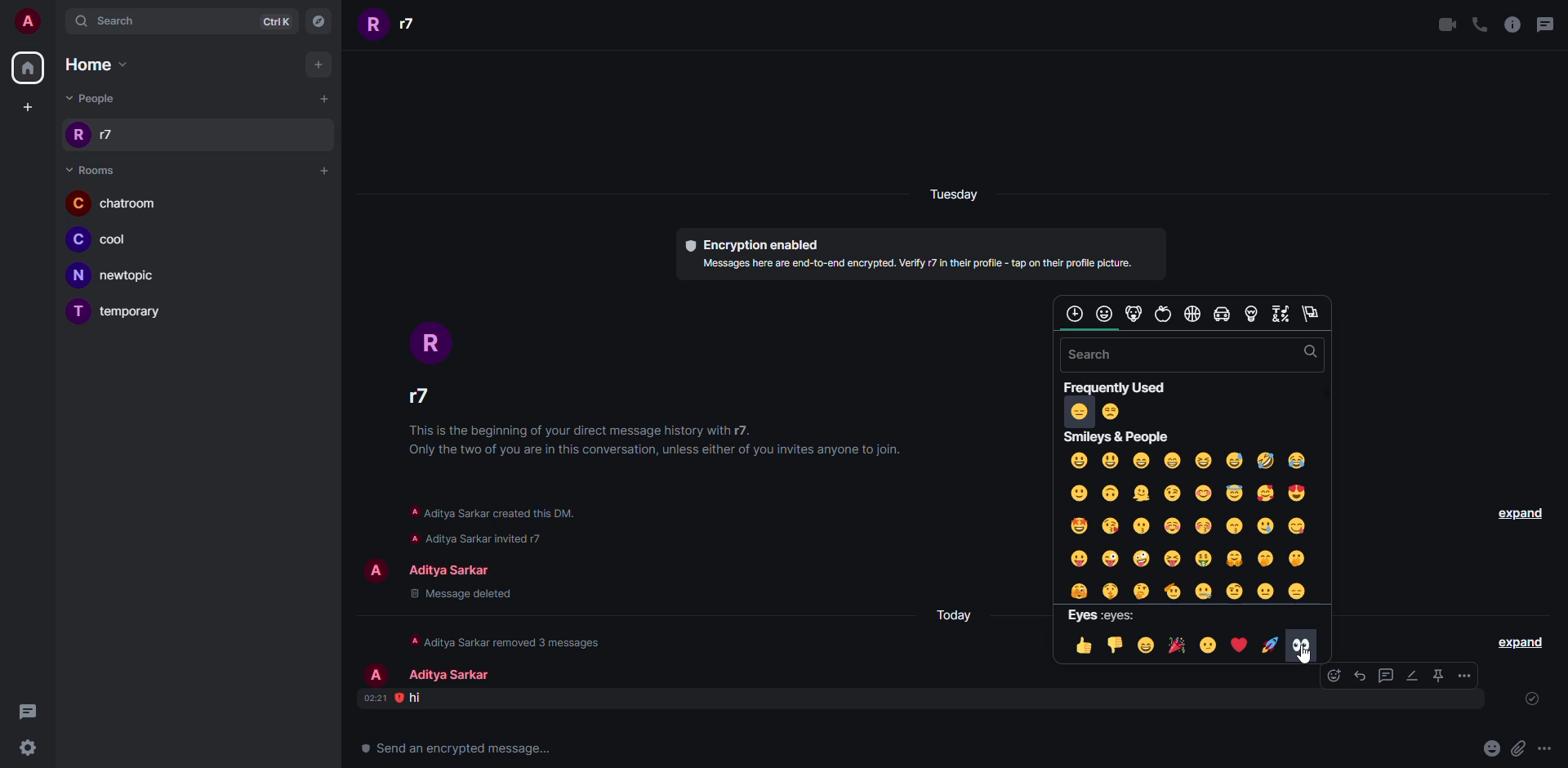  Describe the element at coordinates (1517, 748) in the screenshot. I see `attach` at that location.